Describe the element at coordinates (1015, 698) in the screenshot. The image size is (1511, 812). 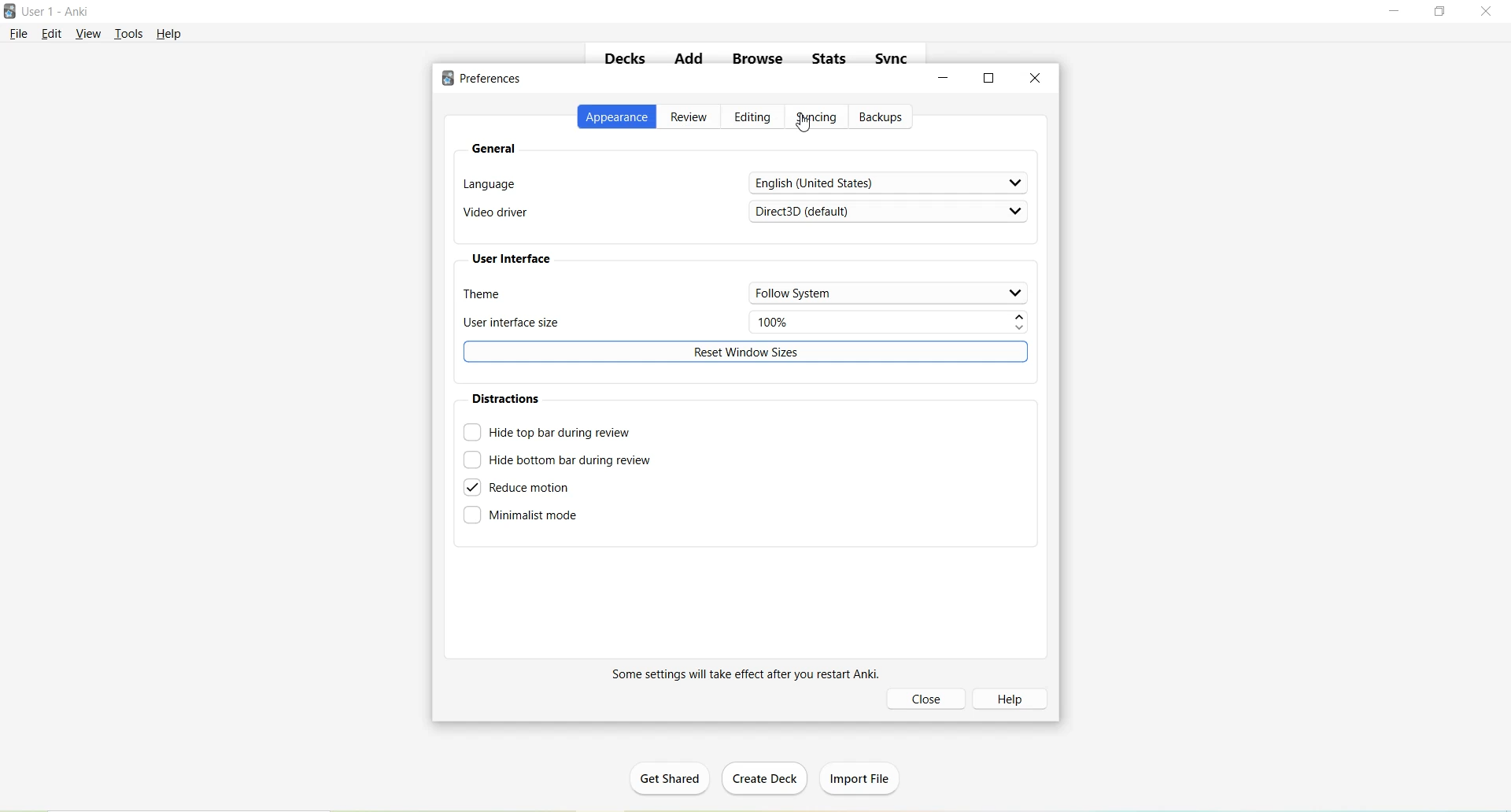
I see `Help` at that location.